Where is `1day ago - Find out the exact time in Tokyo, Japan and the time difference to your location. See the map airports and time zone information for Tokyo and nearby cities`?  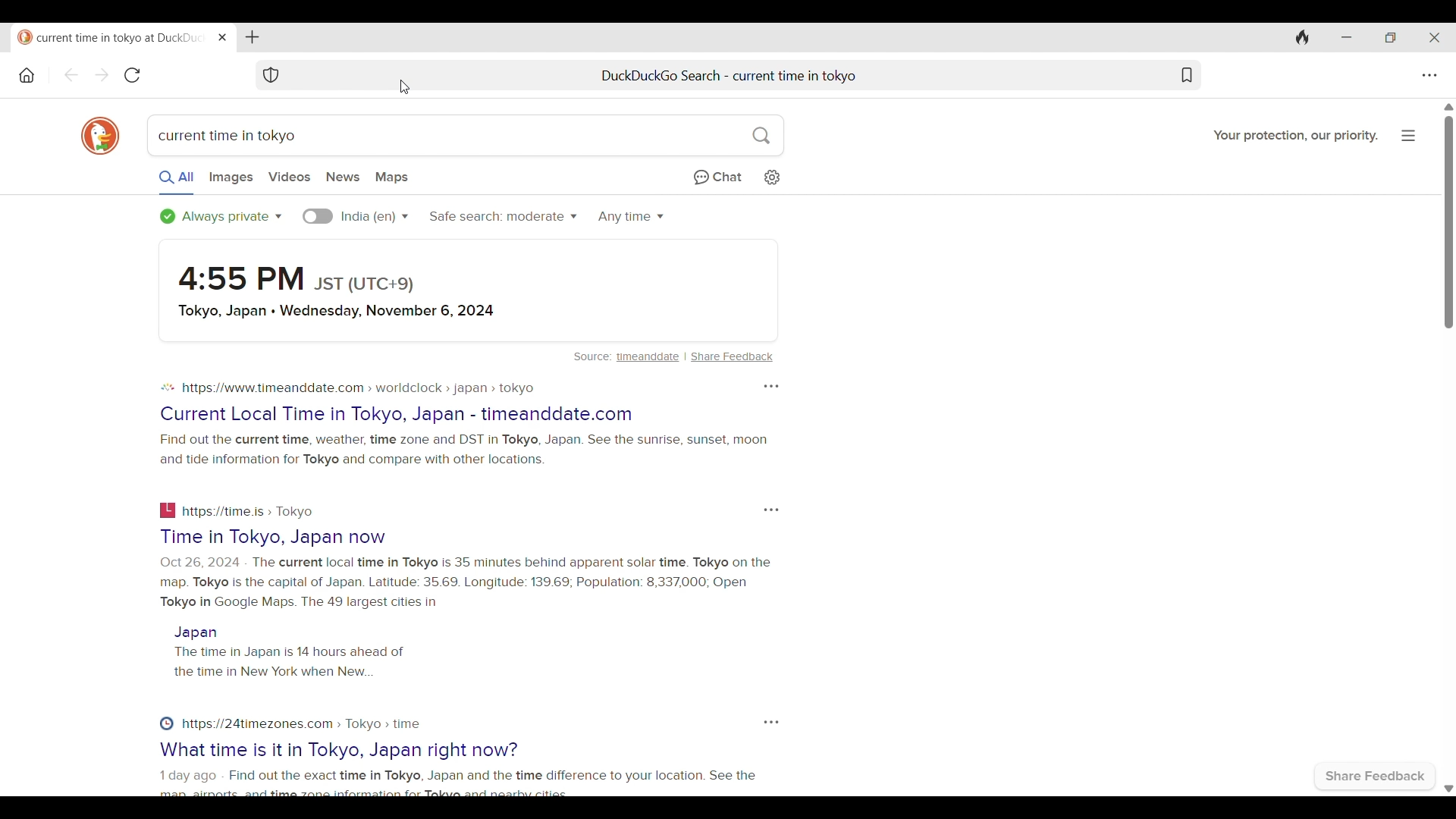 1day ago - Find out the exact time in Tokyo, Japan and the time difference to your location. See the map airports and time zone information for Tokyo and nearby cities is located at coordinates (460, 783).